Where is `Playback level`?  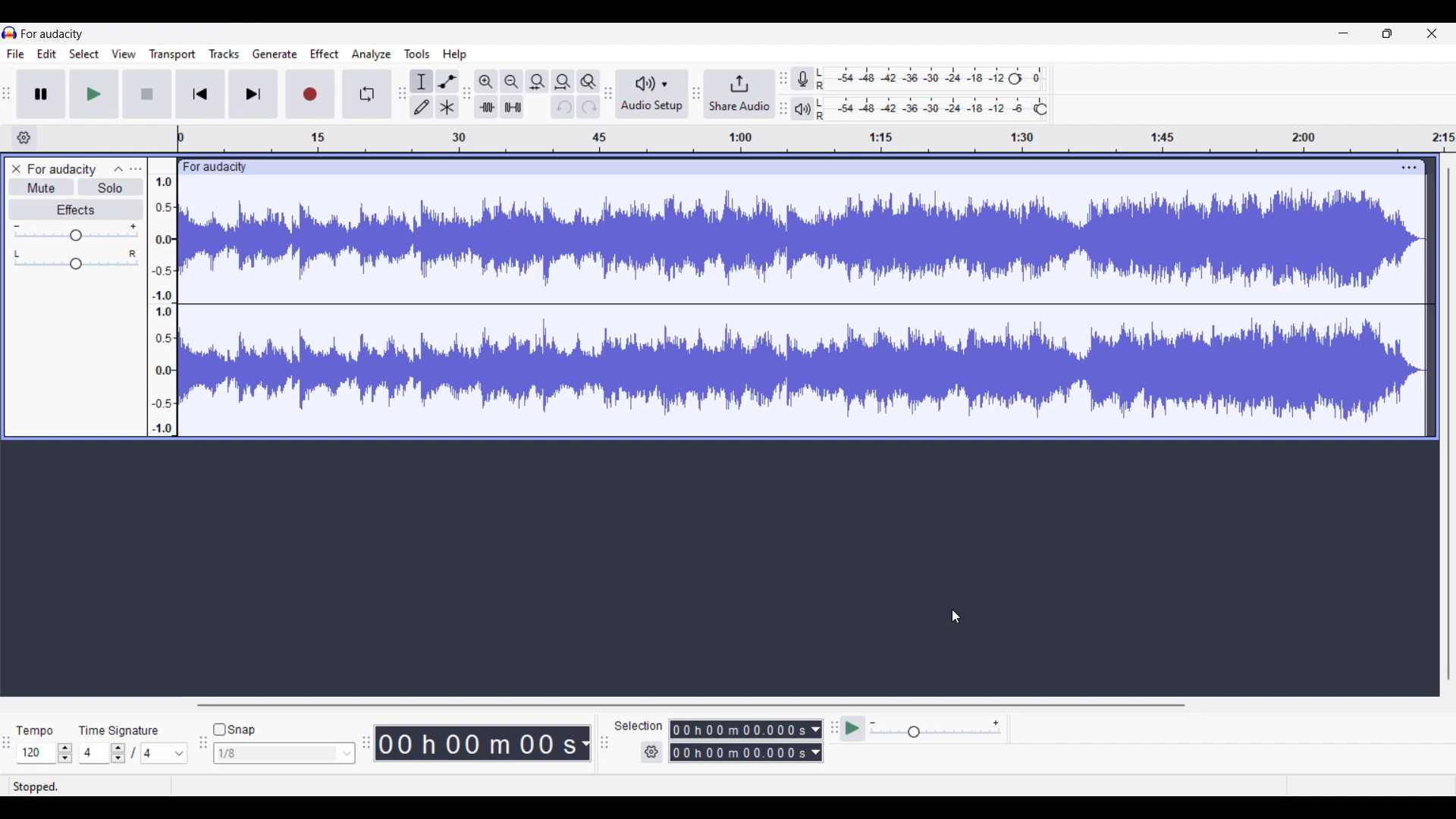 Playback level is located at coordinates (923, 109).